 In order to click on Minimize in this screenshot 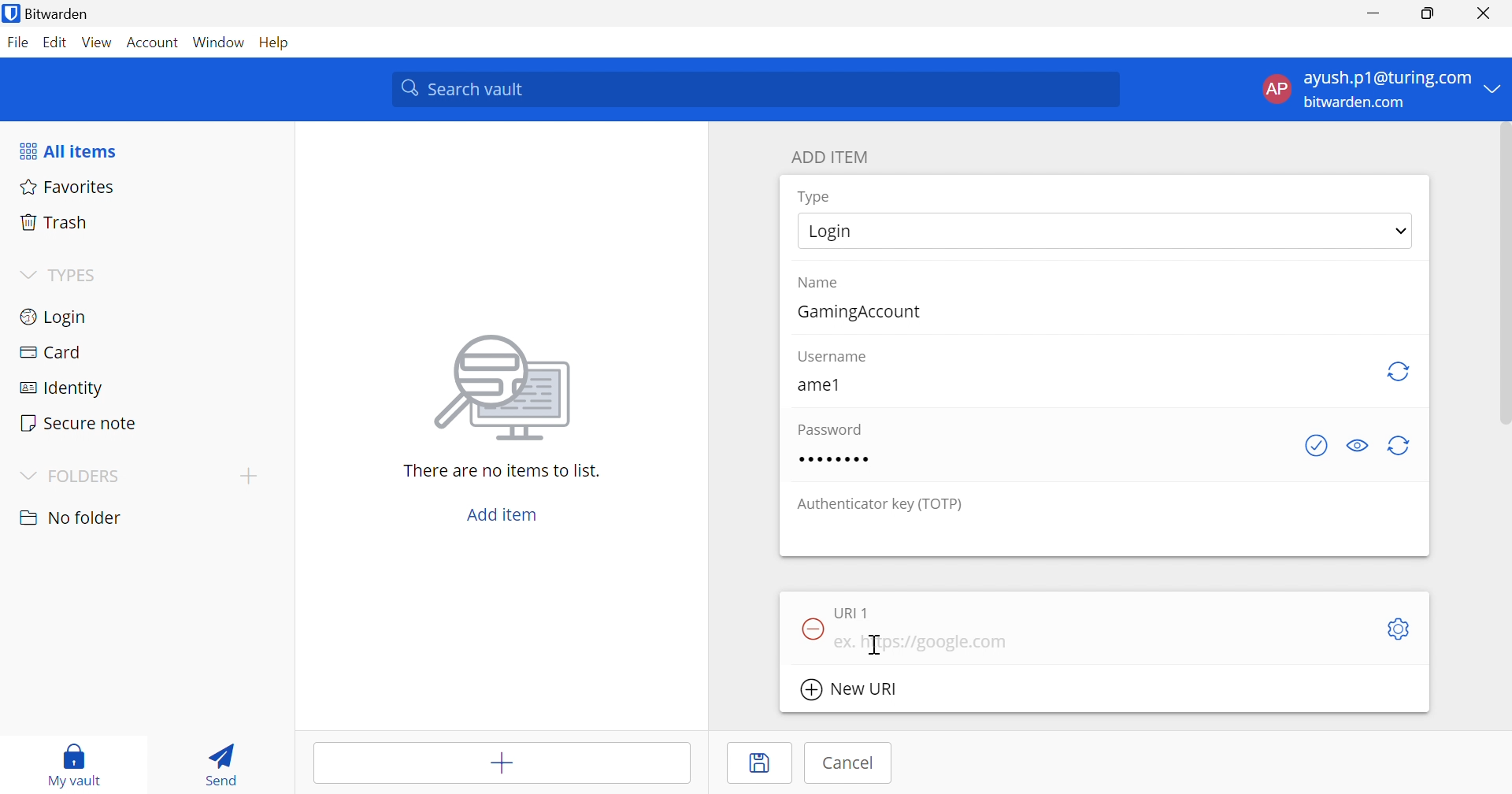, I will do `click(1373, 14)`.